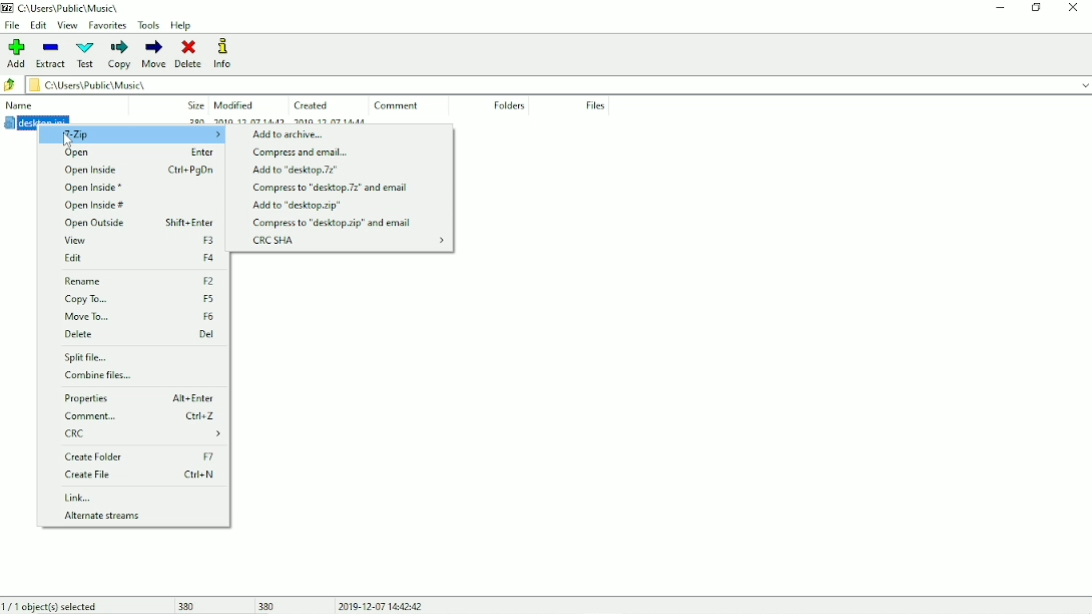  What do you see at coordinates (193, 121) in the screenshot?
I see `380` at bounding box center [193, 121].